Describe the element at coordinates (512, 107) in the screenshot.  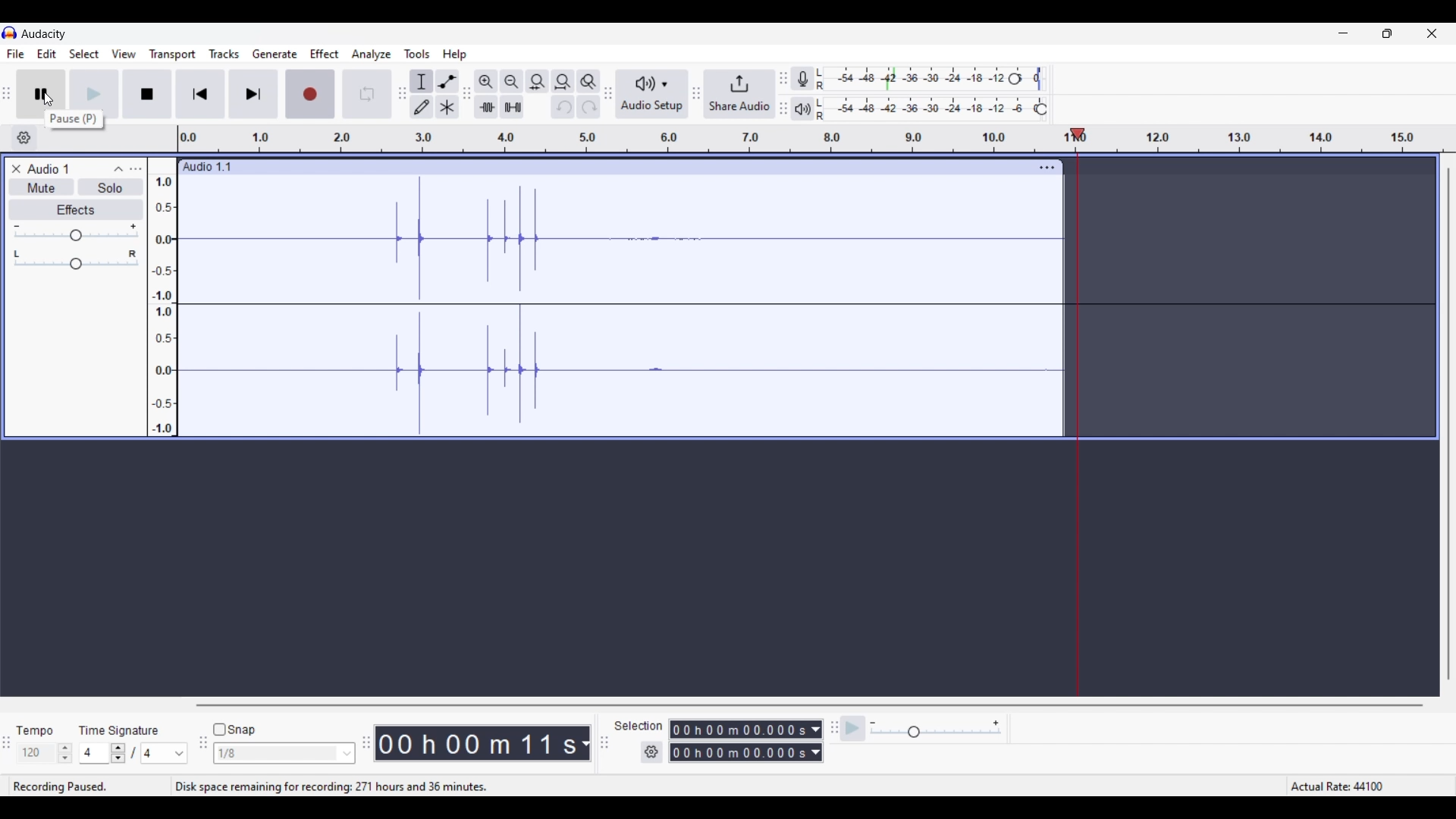
I see `Silence audio selection` at that location.